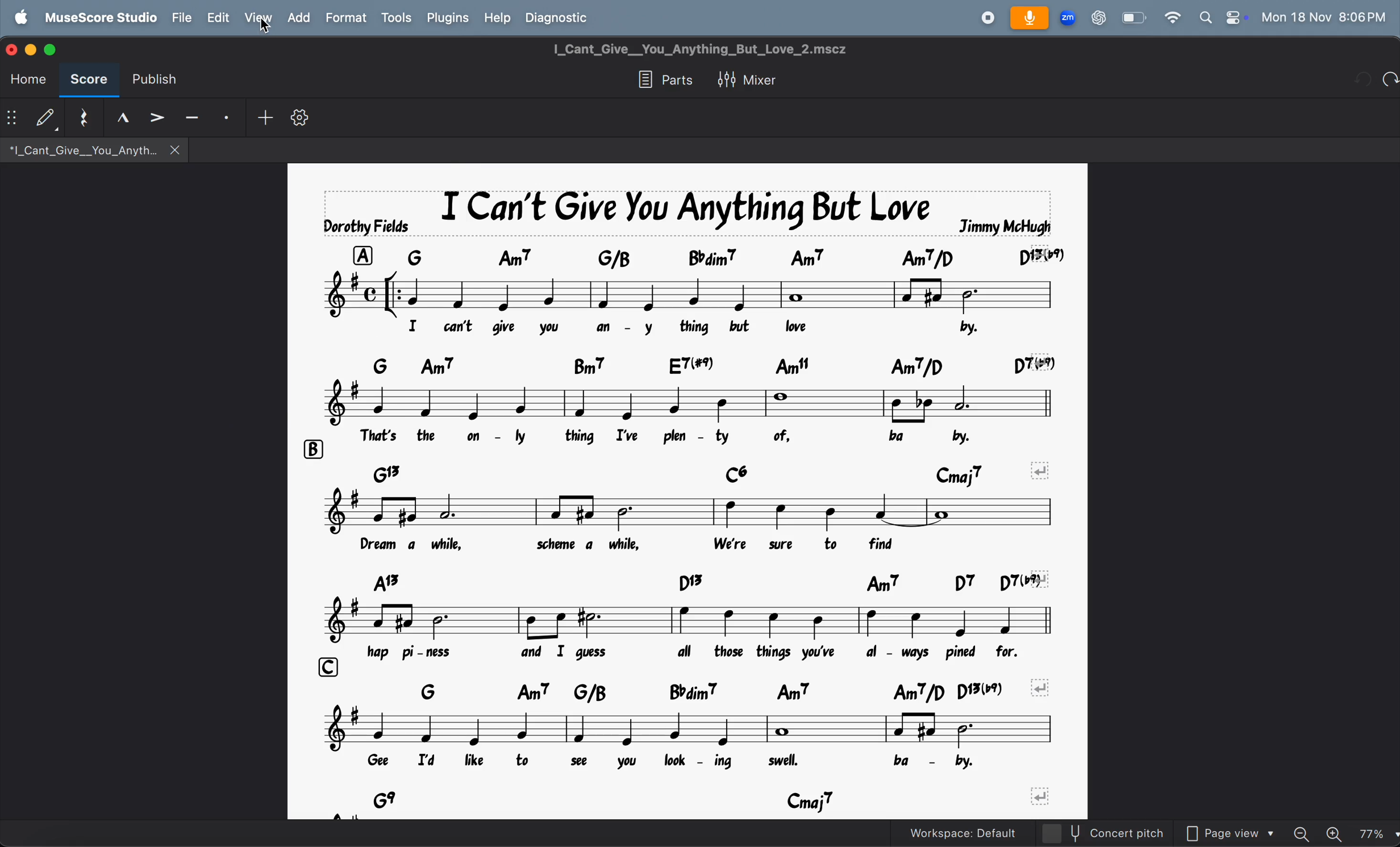 The width and height of the screenshot is (1400, 847). I want to click on lyrics, so click(691, 762).